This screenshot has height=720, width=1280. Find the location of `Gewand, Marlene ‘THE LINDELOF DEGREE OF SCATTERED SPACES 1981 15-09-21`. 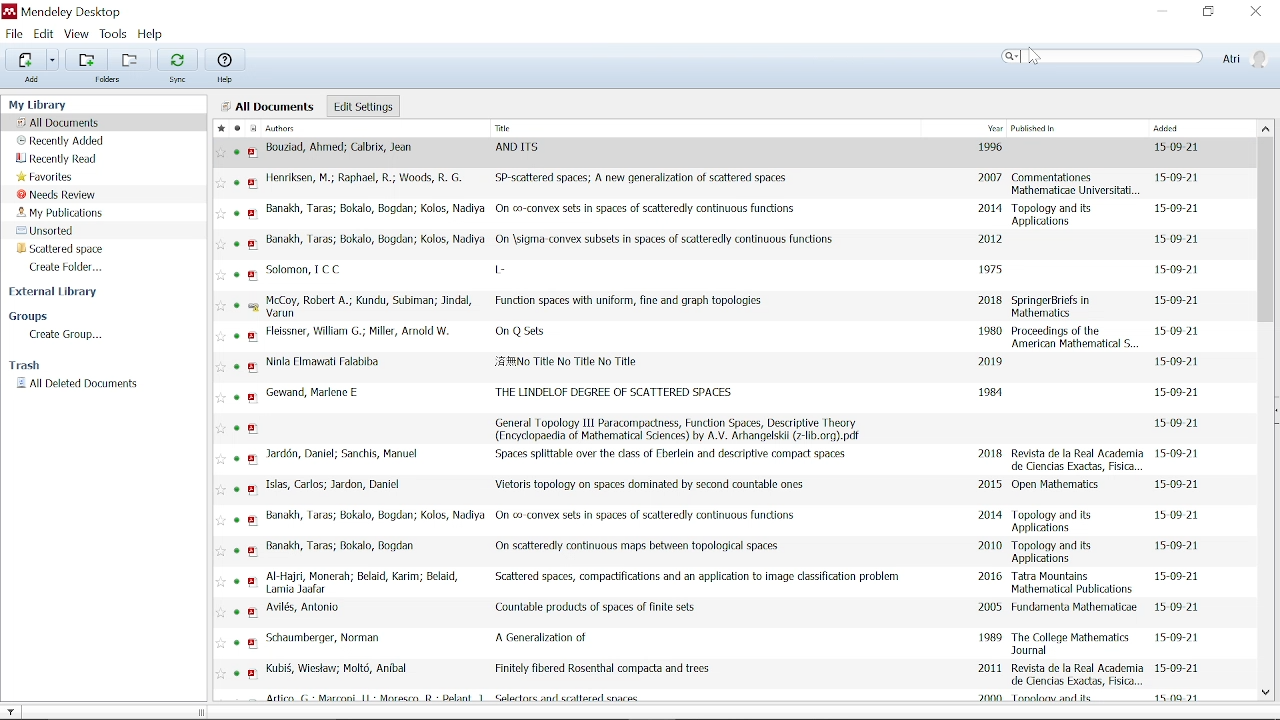

Gewand, Marlene ‘THE LINDELOF DEGREE OF SCATTERED SPACES 1981 15-09-21 is located at coordinates (727, 395).